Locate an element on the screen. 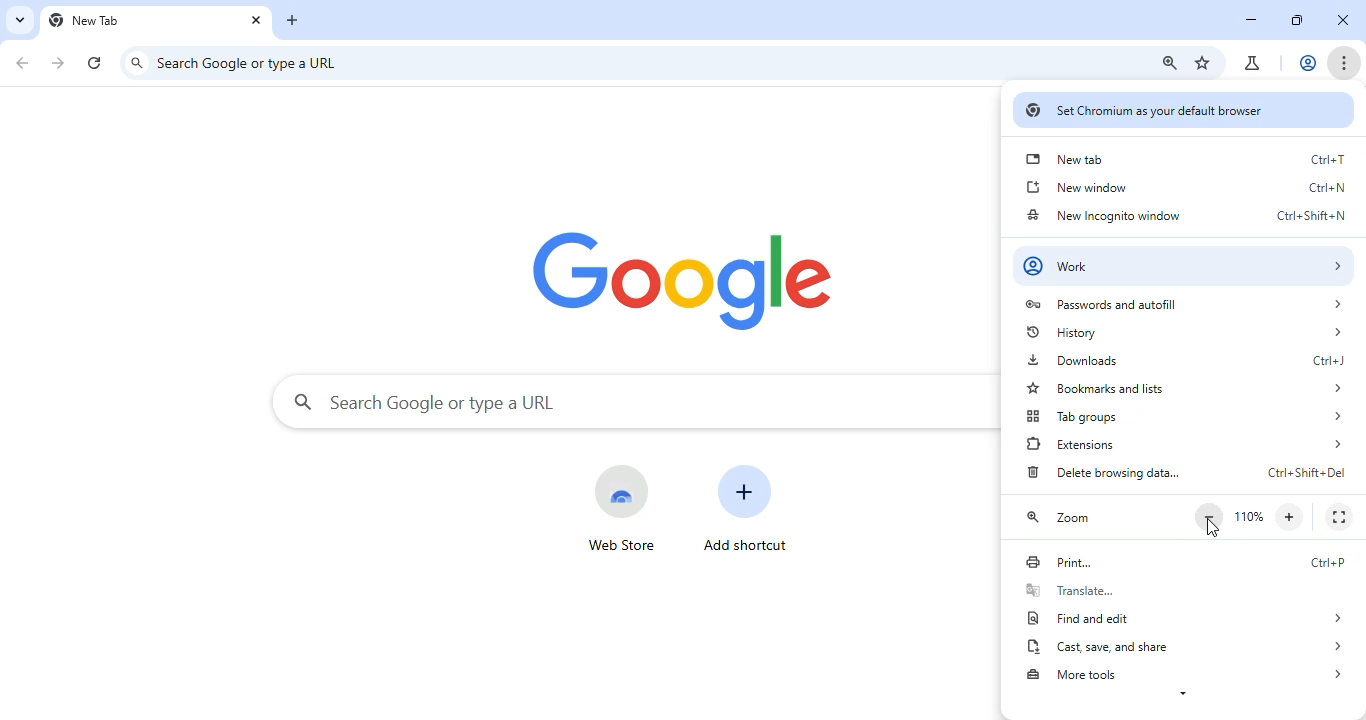  go forward is located at coordinates (60, 62).